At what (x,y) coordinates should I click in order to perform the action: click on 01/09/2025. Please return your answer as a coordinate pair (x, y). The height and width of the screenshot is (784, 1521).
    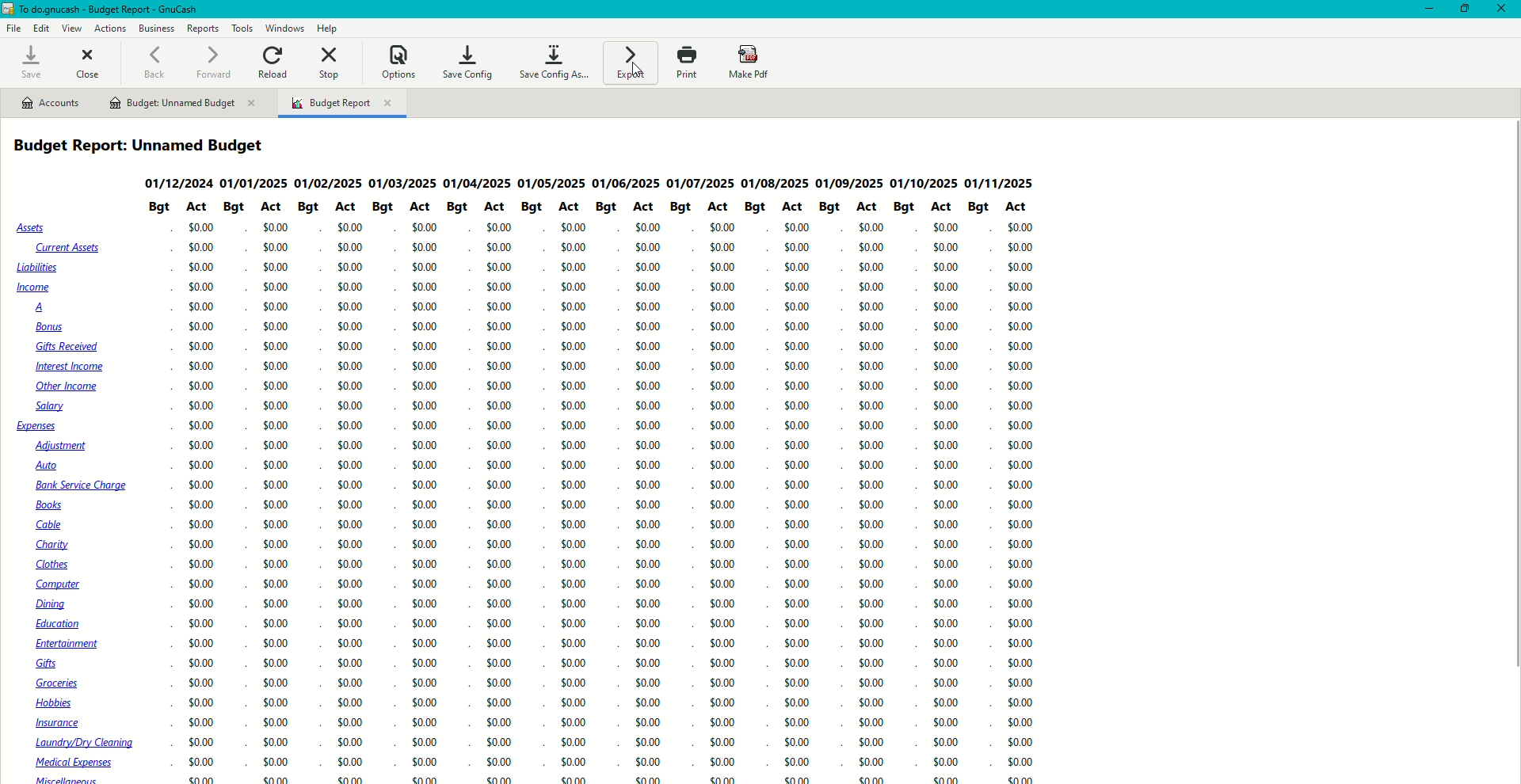
    Looking at the image, I should click on (848, 183).